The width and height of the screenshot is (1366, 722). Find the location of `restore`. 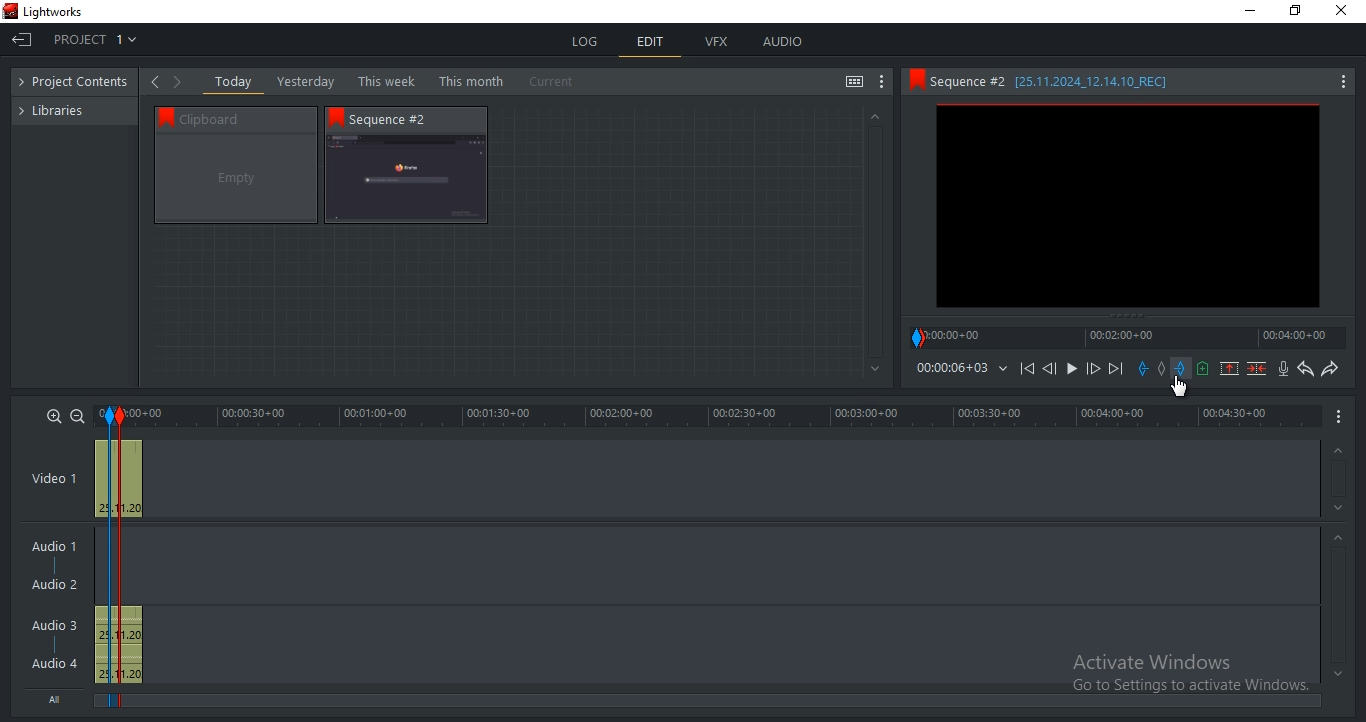

restore is located at coordinates (1295, 12).